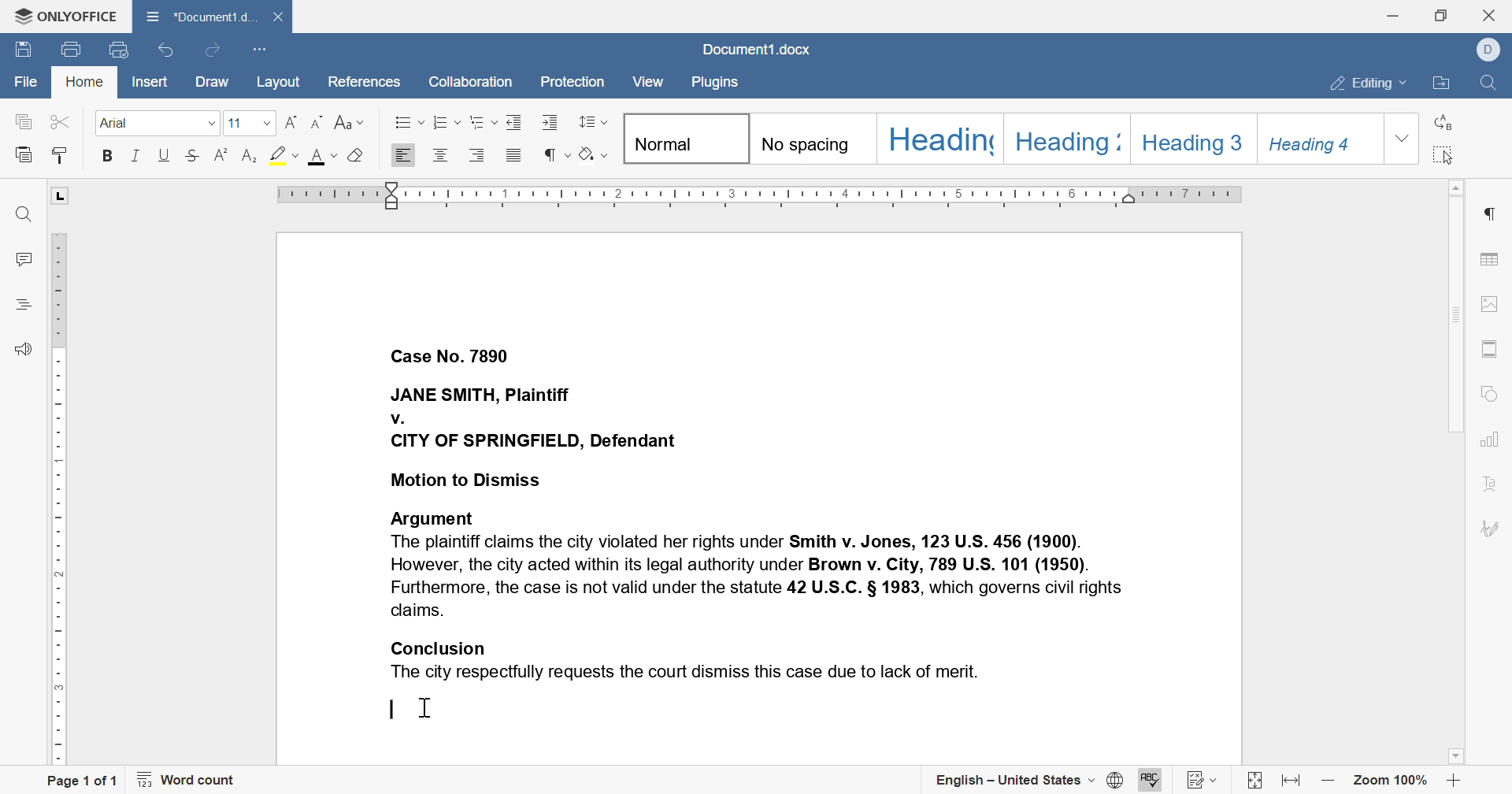 This screenshot has width=1512, height=794. What do you see at coordinates (350, 122) in the screenshot?
I see `change case` at bounding box center [350, 122].